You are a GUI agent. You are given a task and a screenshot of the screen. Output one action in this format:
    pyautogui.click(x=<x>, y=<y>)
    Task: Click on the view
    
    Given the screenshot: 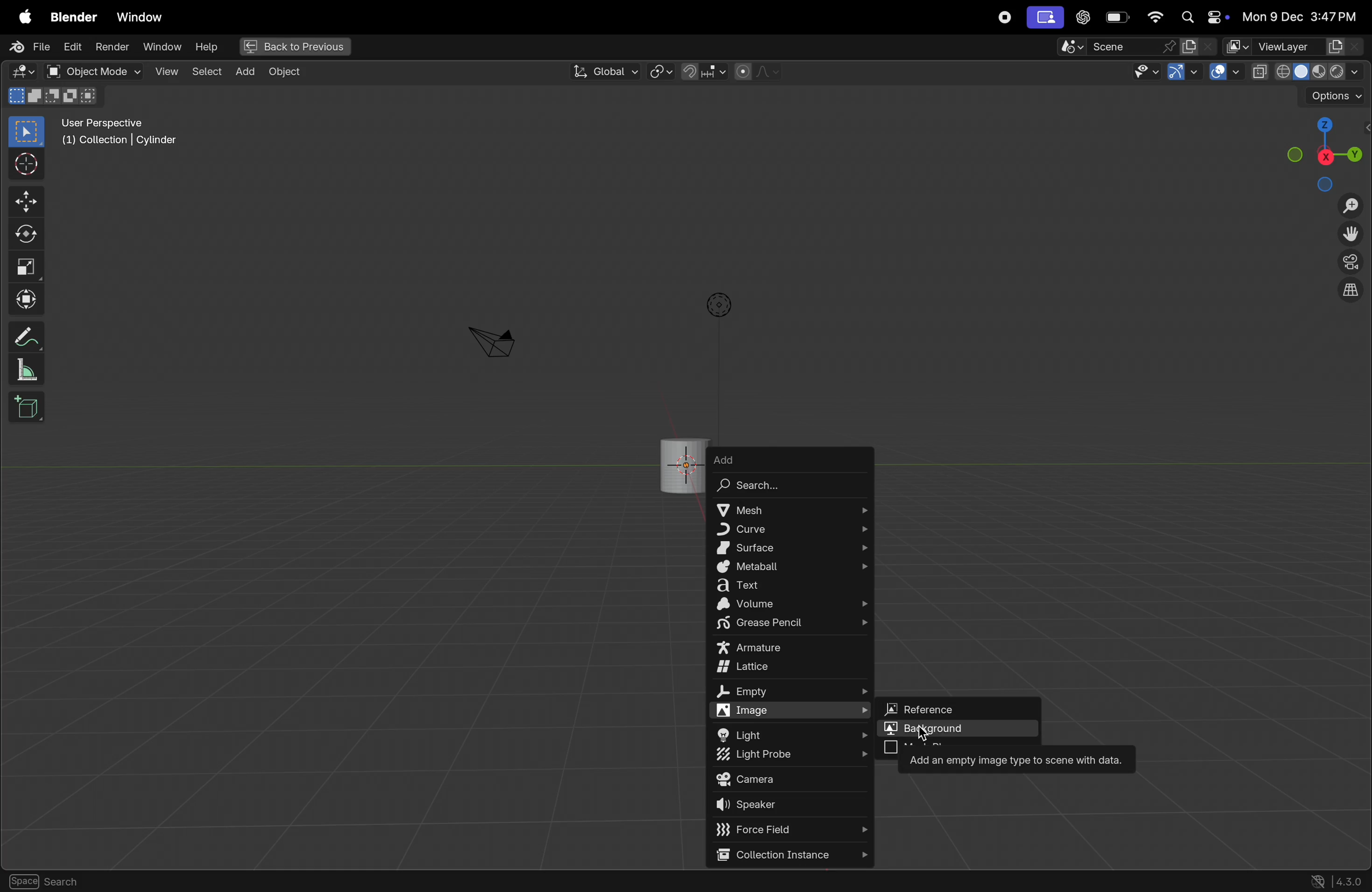 What is the action you would take?
    pyautogui.click(x=164, y=71)
    